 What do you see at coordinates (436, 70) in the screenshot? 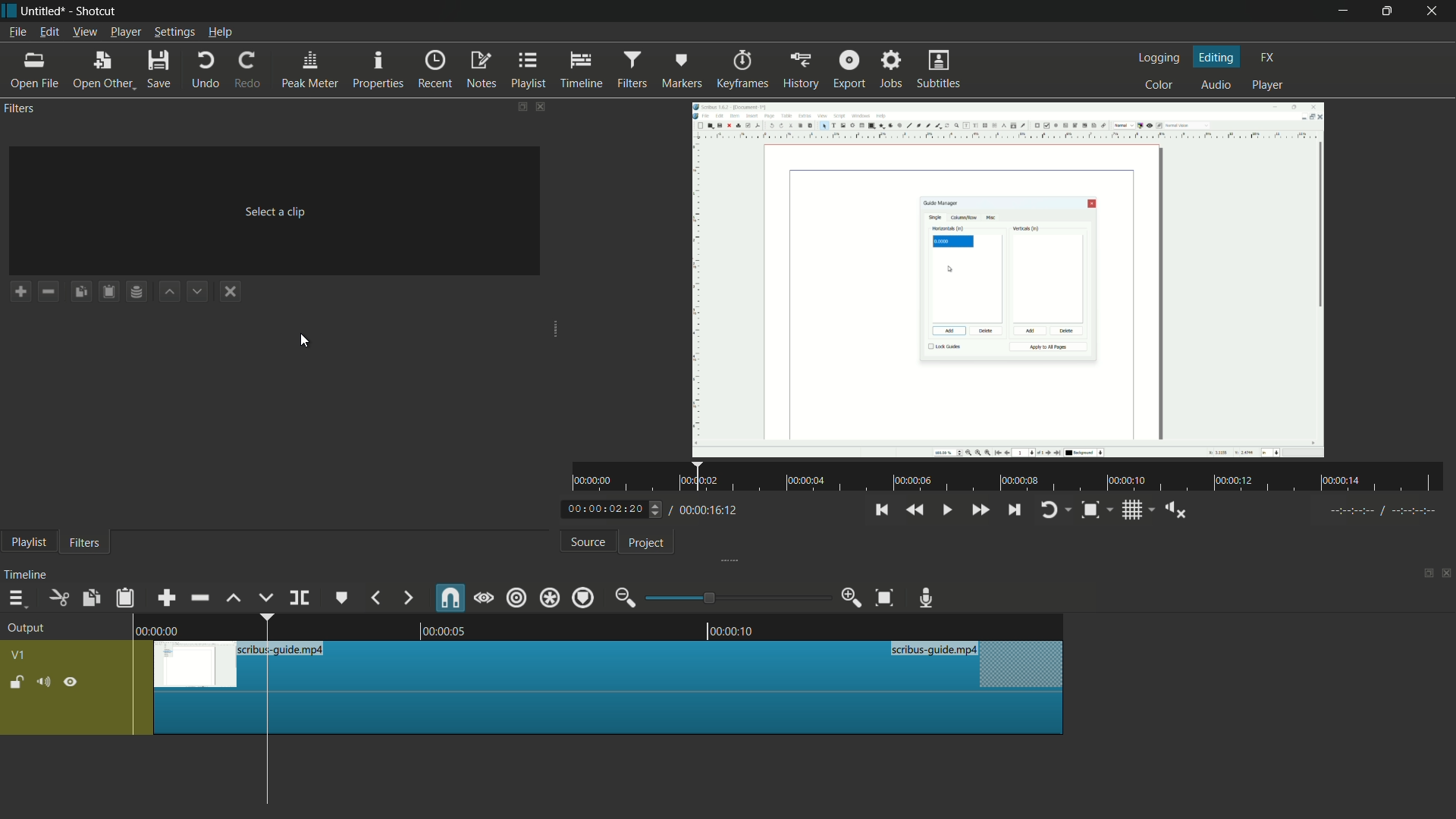
I see `recent` at bounding box center [436, 70].